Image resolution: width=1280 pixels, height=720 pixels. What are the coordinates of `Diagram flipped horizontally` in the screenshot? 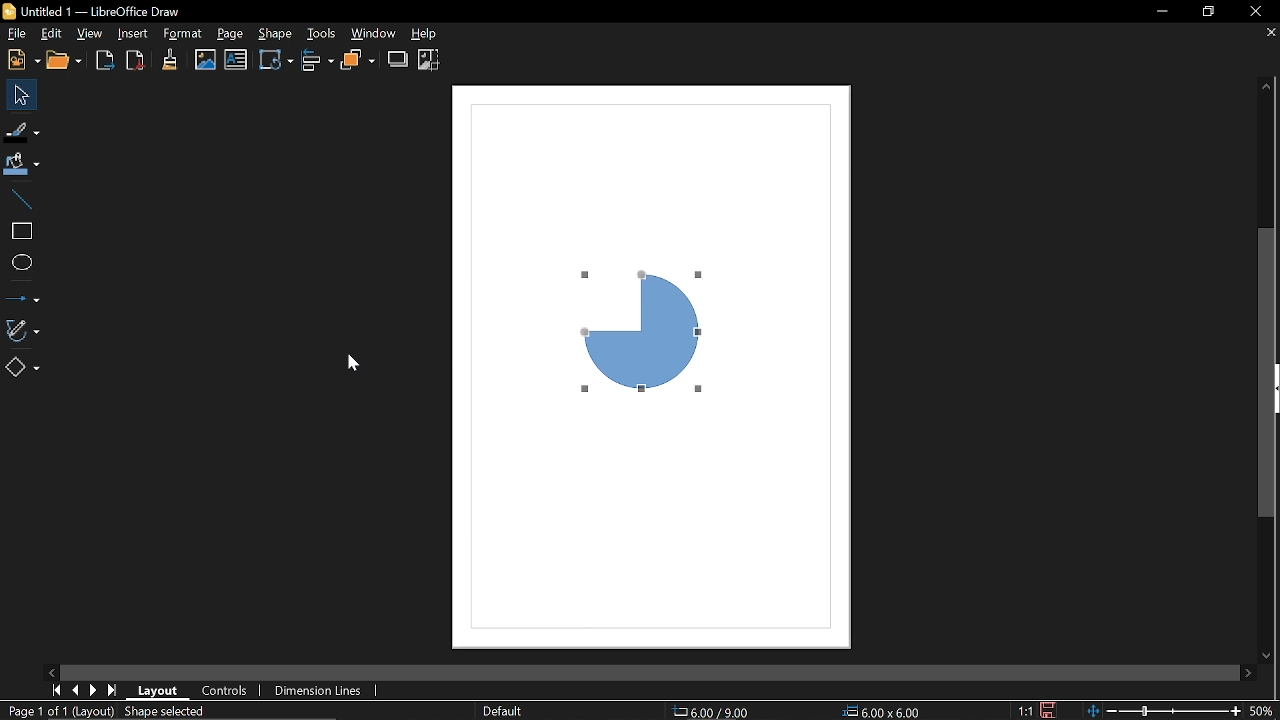 It's located at (629, 338).